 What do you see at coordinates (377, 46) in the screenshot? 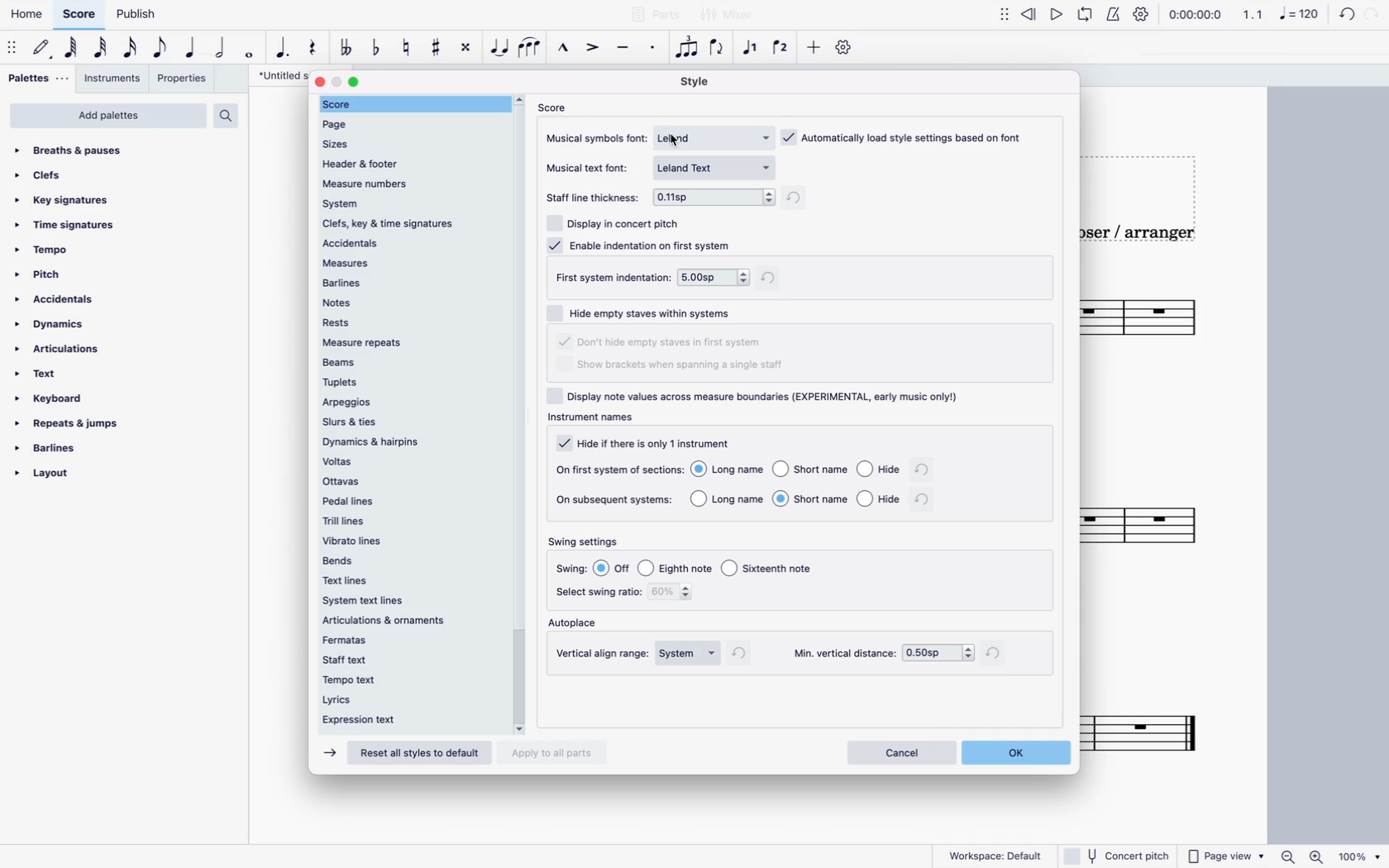
I see `tune` at bounding box center [377, 46].